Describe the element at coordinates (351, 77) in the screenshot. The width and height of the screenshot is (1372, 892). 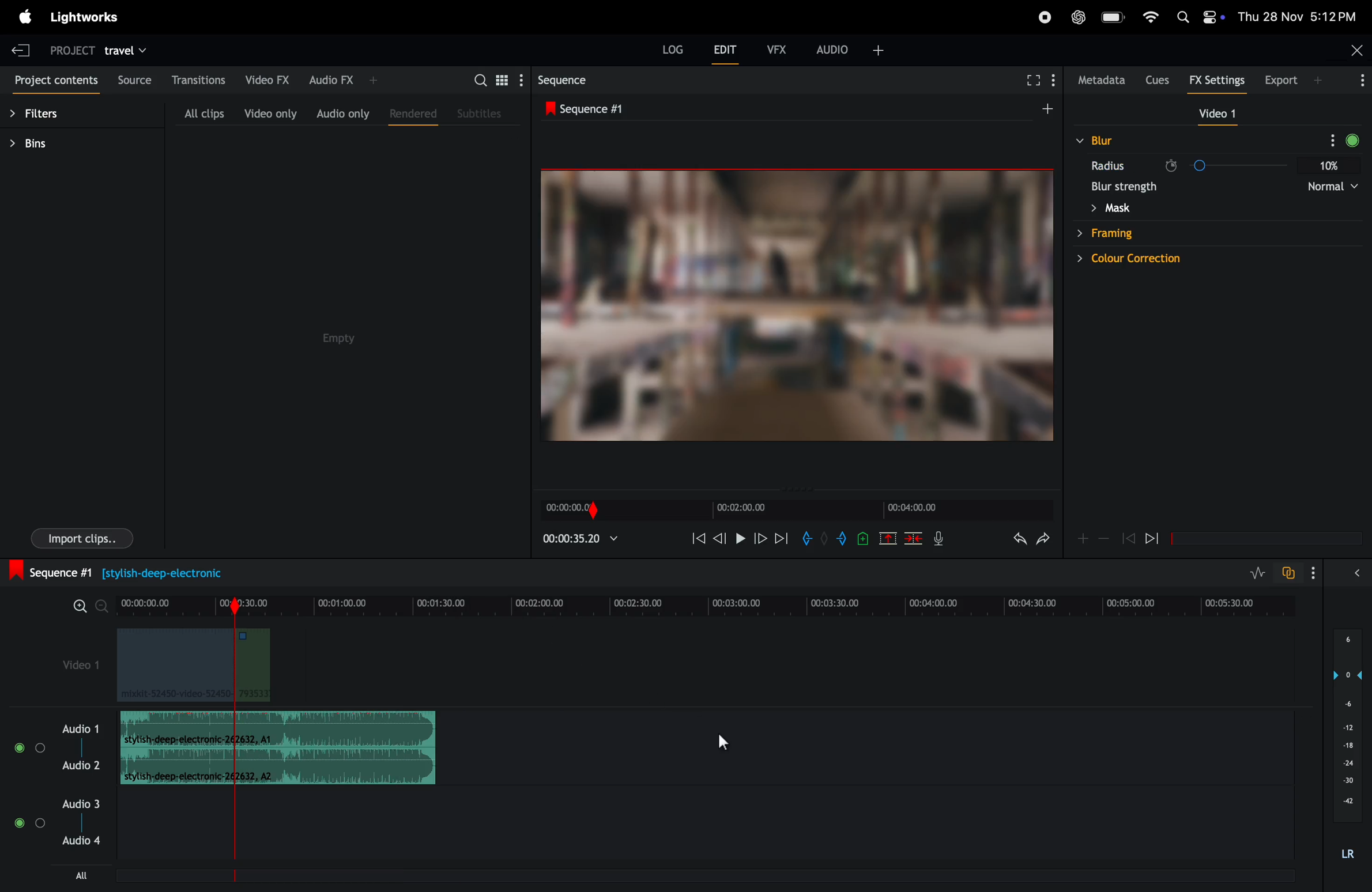
I see `audio fx` at that location.